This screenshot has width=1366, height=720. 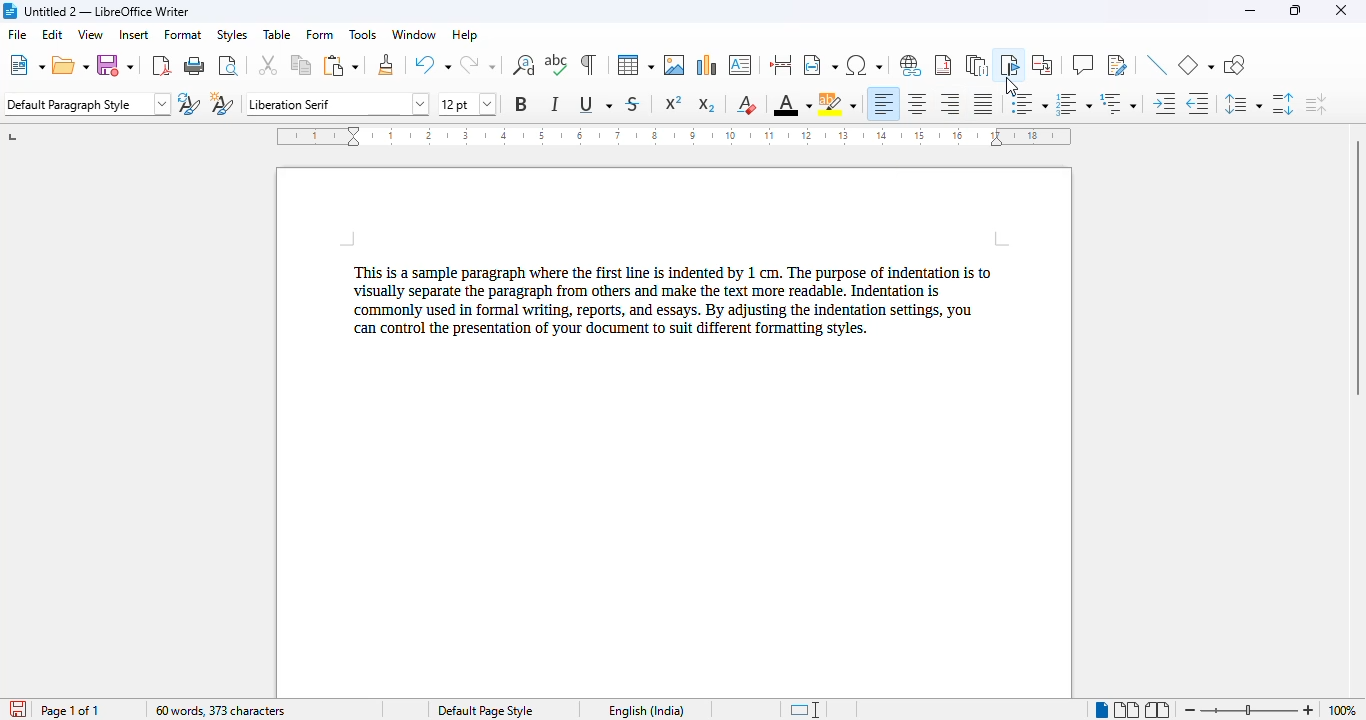 What do you see at coordinates (267, 65) in the screenshot?
I see `cut` at bounding box center [267, 65].